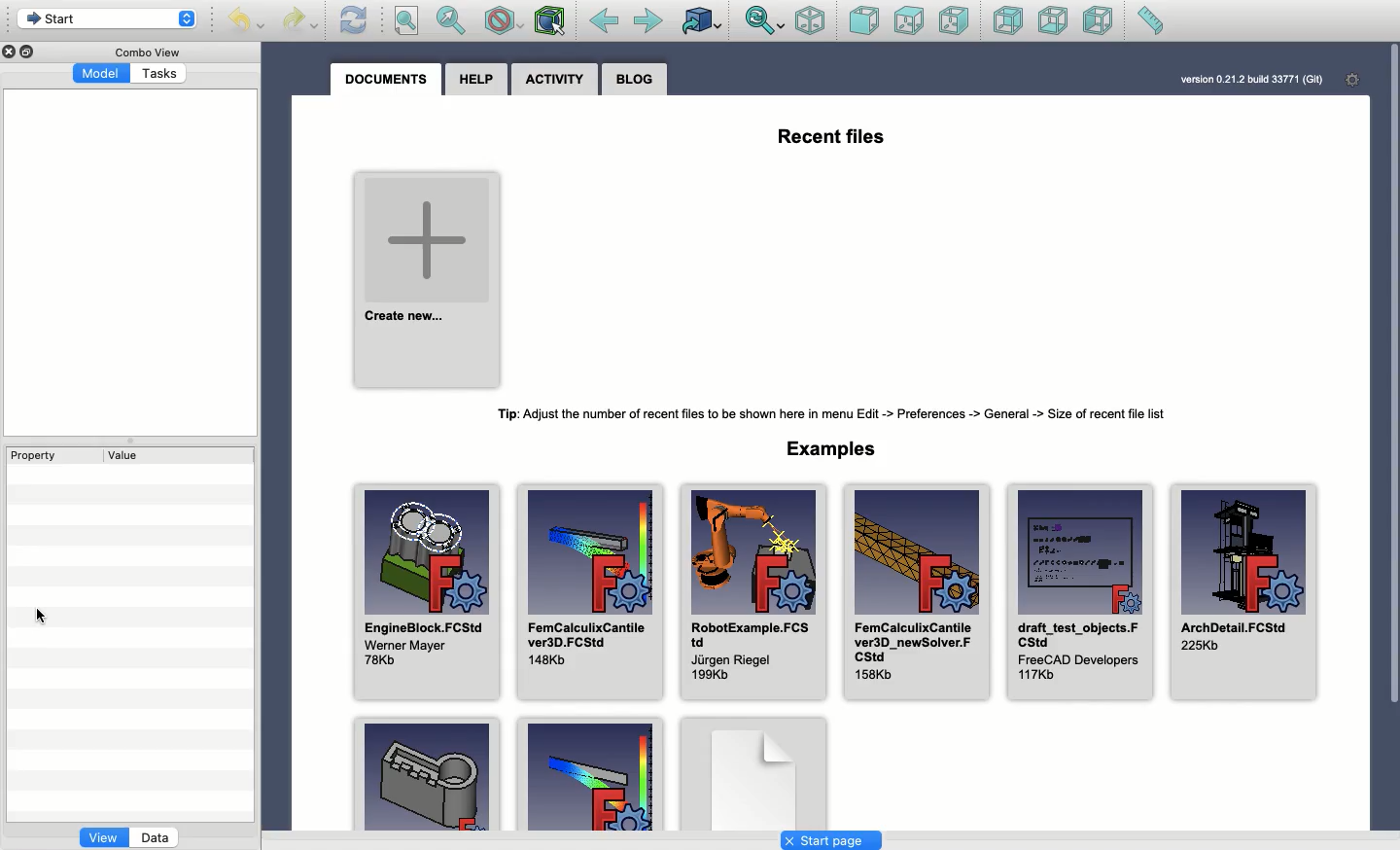  I want to click on Top, so click(910, 22).